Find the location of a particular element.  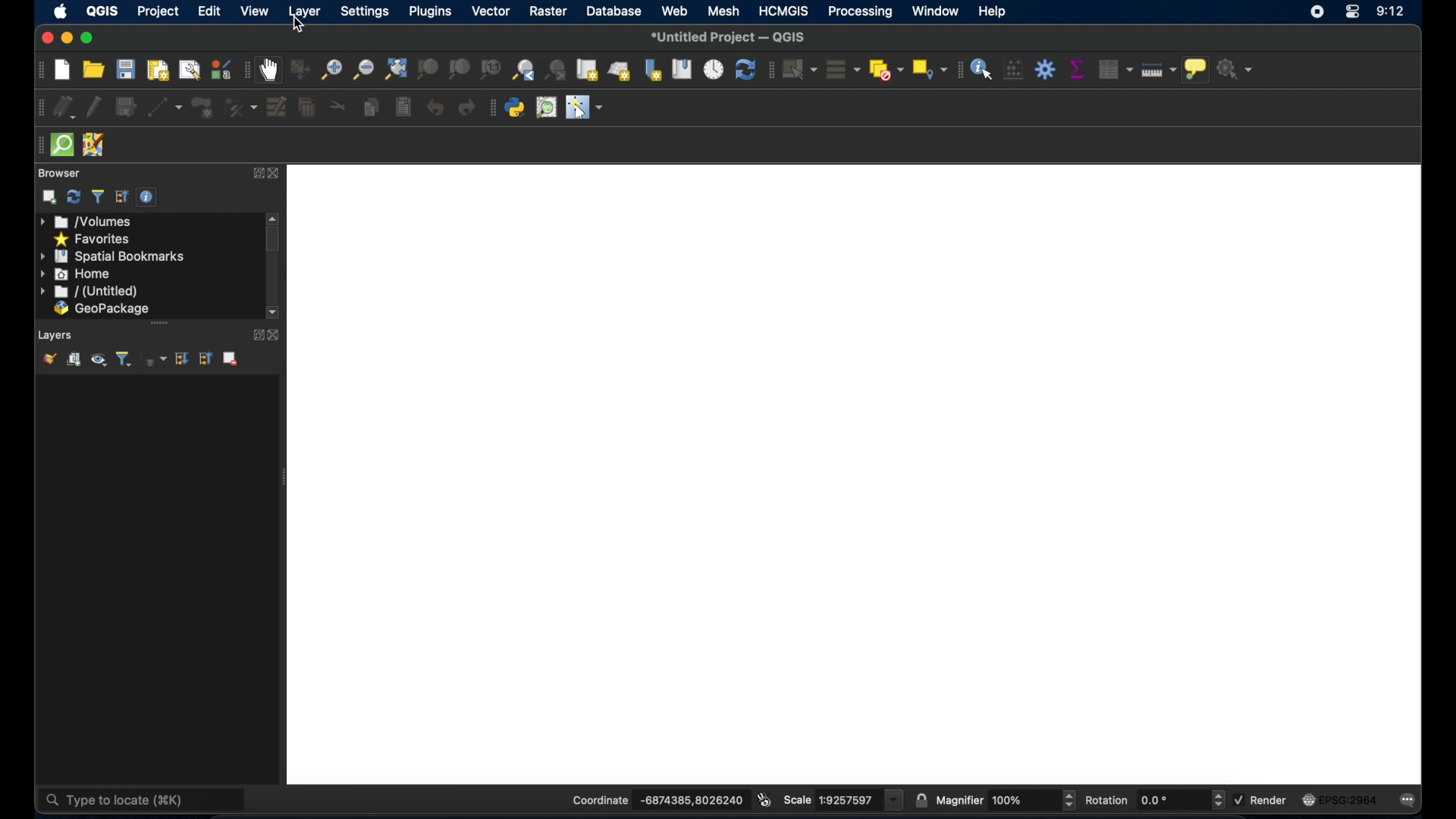

window is located at coordinates (935, 13).